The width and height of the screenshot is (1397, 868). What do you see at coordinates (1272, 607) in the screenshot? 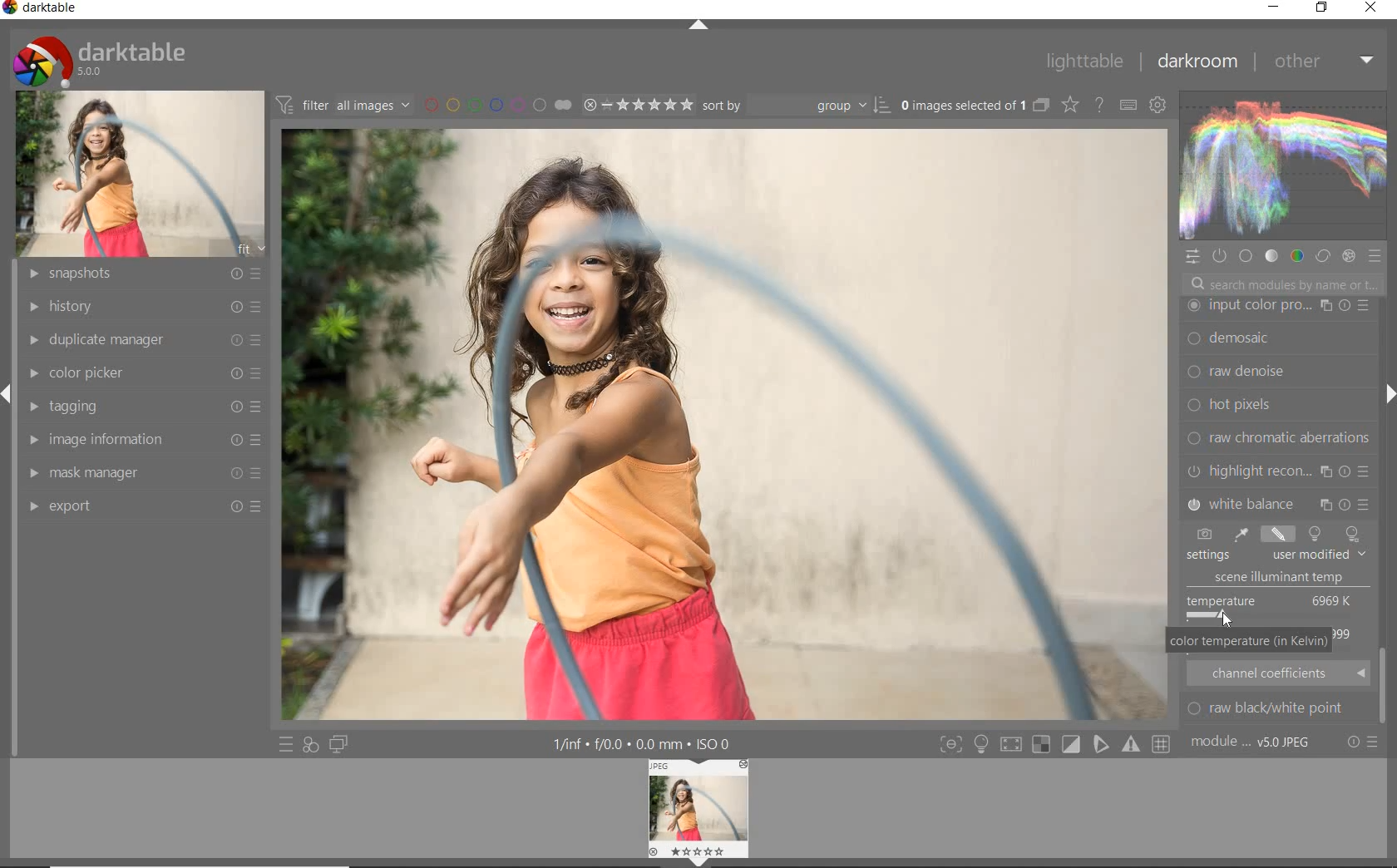
I see `TEMPERATURE` at bounding box center [1272, 607].